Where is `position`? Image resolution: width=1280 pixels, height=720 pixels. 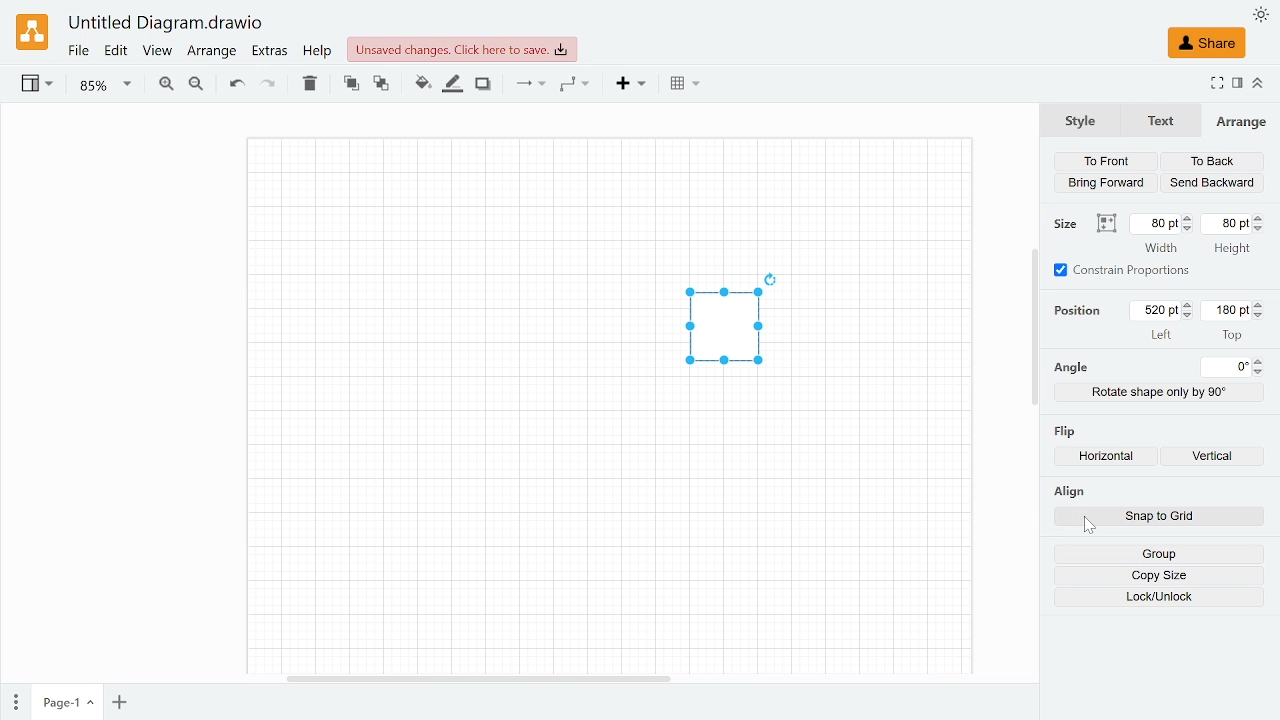 position is located at coordinates (1082, 310).